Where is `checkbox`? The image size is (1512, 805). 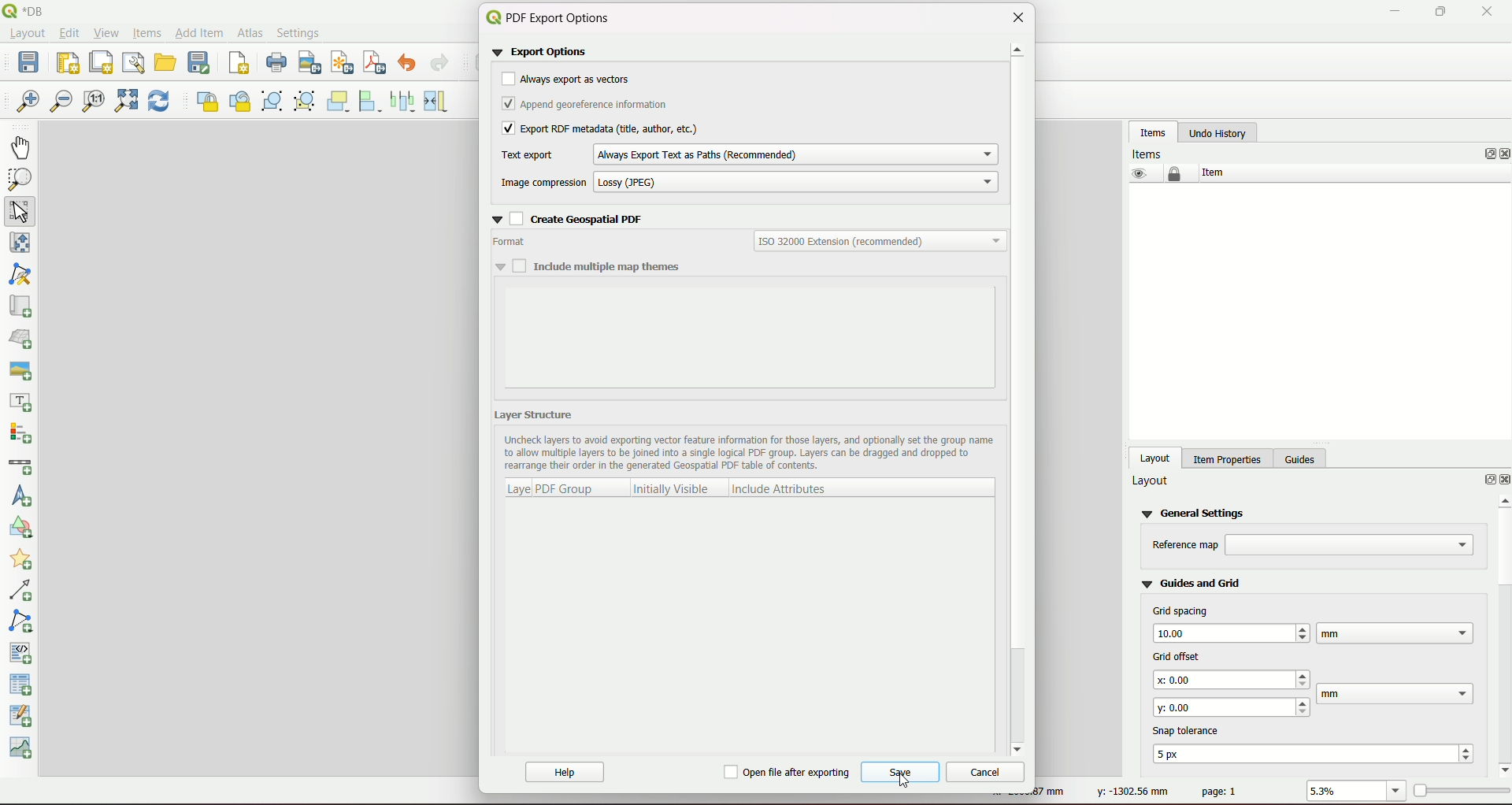
checkbox is located at coordinates (507, 80).